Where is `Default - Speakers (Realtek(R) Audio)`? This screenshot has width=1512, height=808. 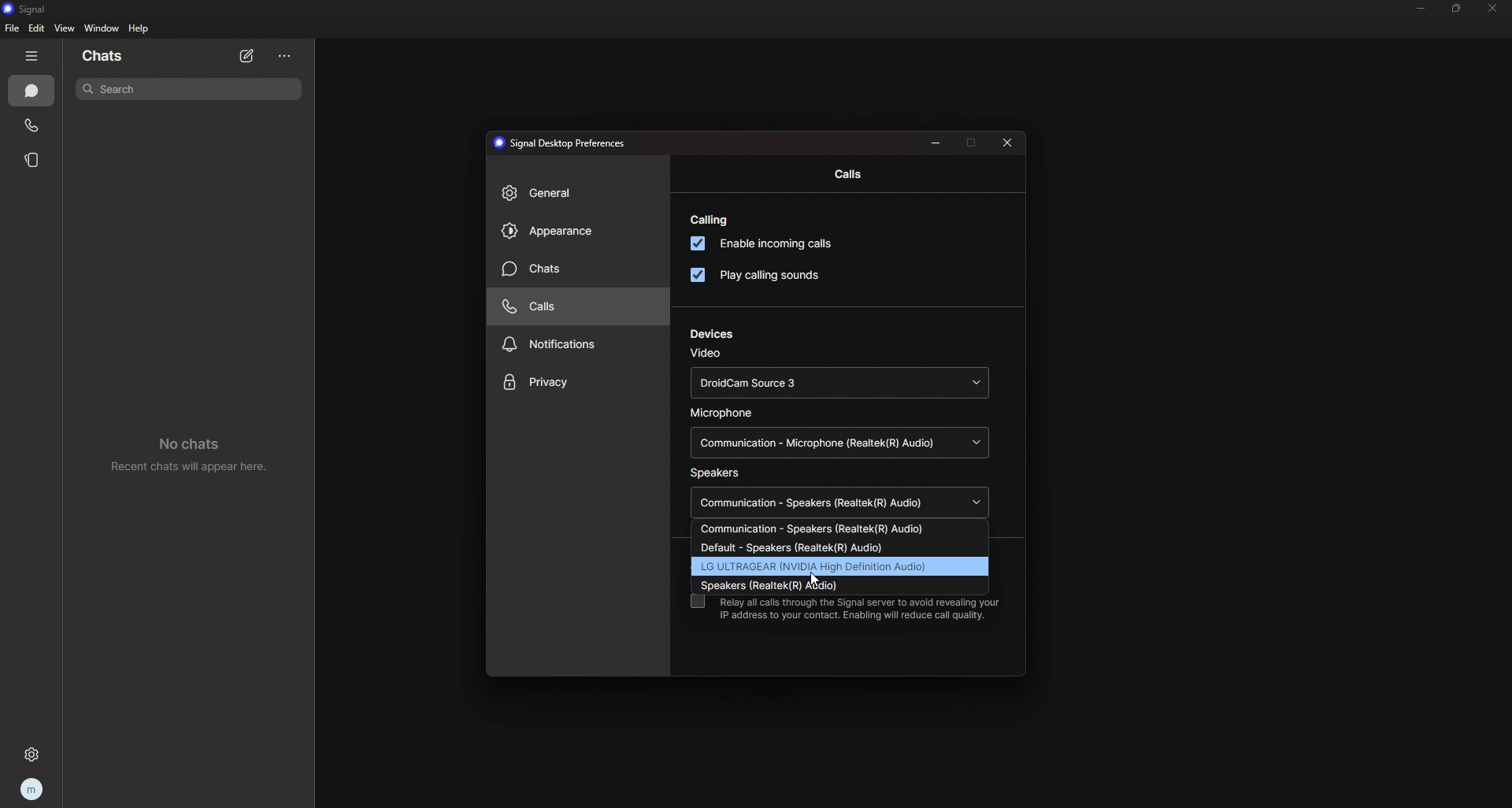 Default - Speakers (Realtek(R) Audio) is located at coordinates (804, 547).